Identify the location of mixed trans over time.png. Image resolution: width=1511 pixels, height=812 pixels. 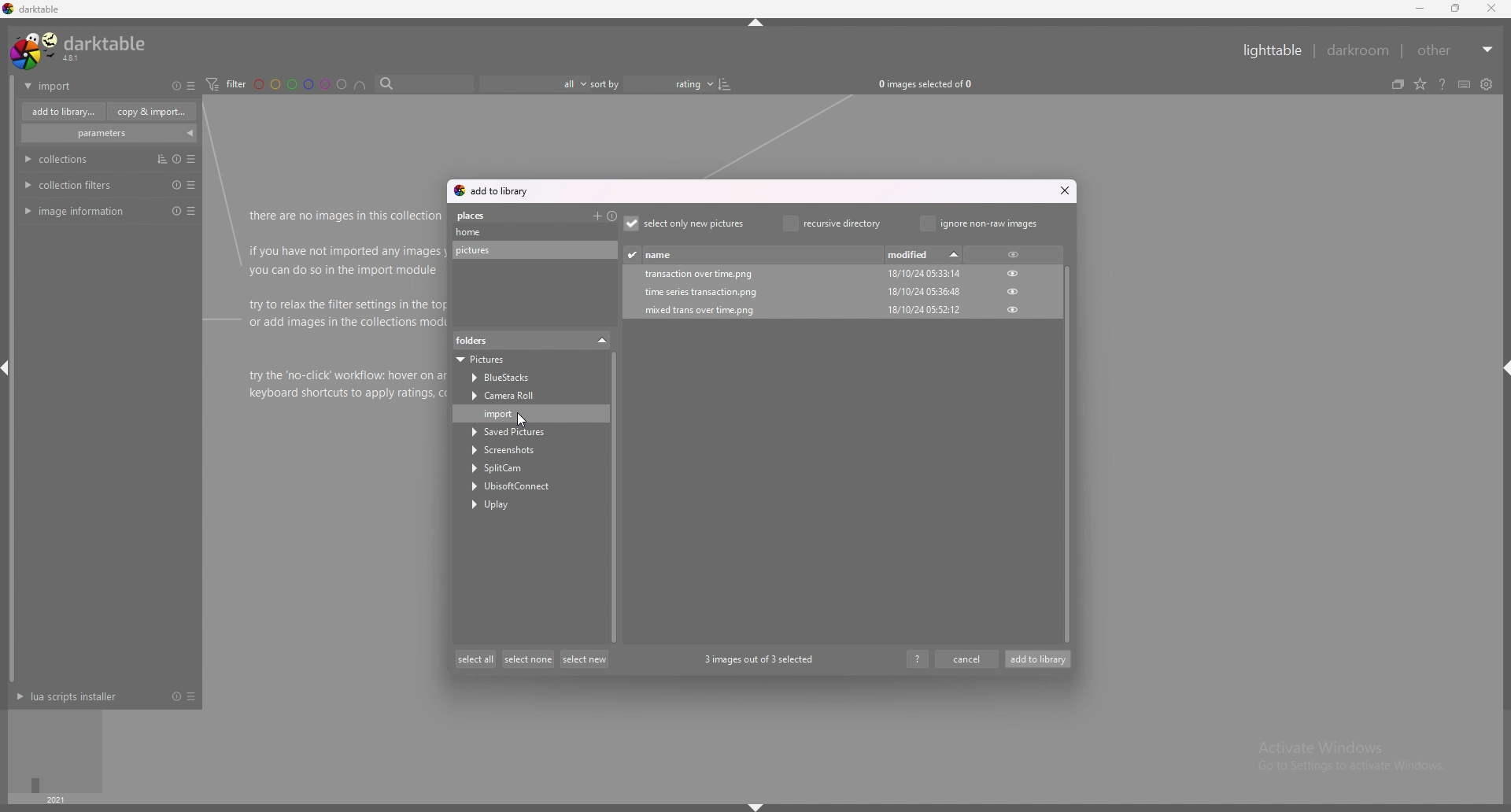
(749, 310).